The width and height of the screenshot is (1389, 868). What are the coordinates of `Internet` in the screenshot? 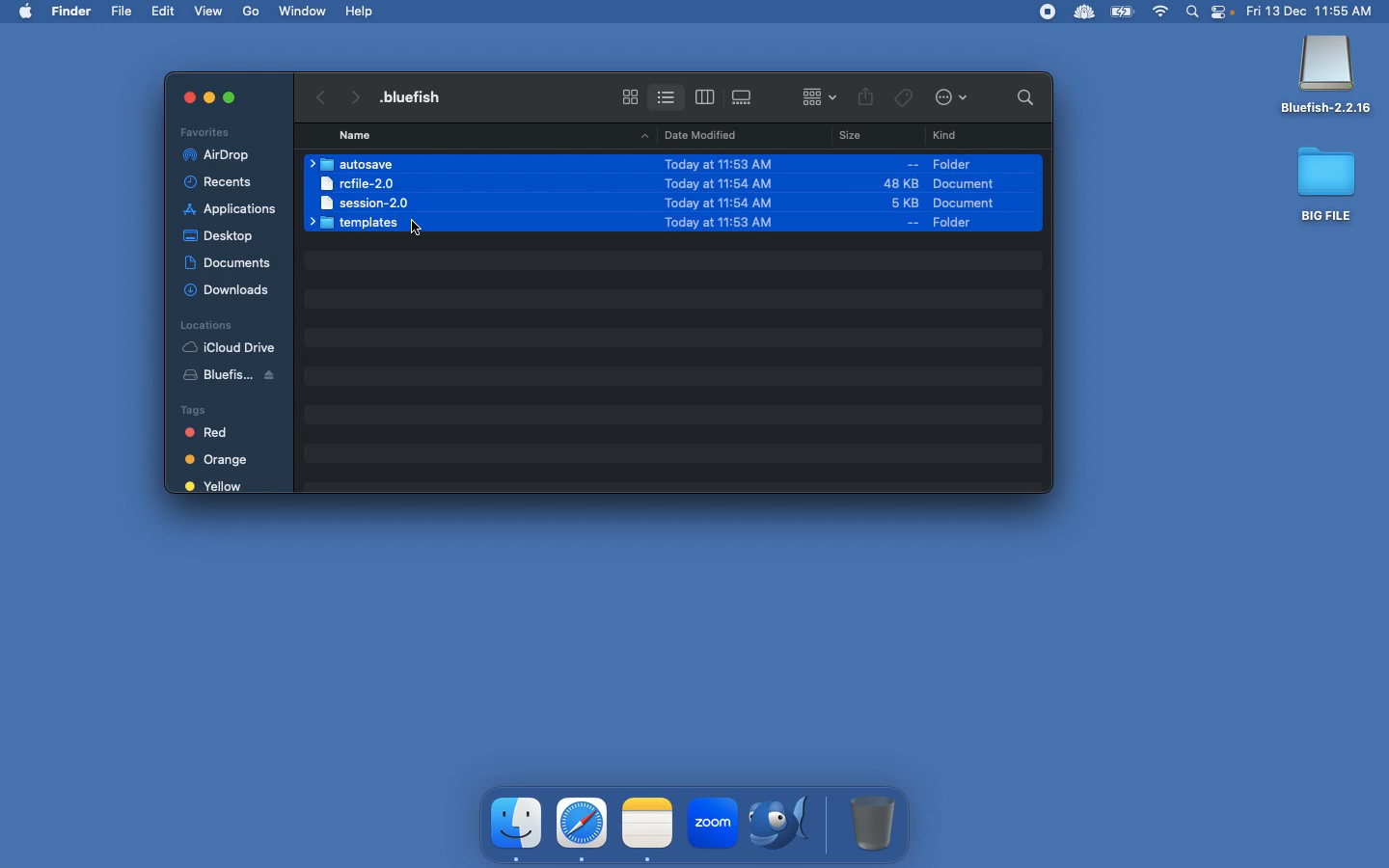 It's located at (1161, 13).